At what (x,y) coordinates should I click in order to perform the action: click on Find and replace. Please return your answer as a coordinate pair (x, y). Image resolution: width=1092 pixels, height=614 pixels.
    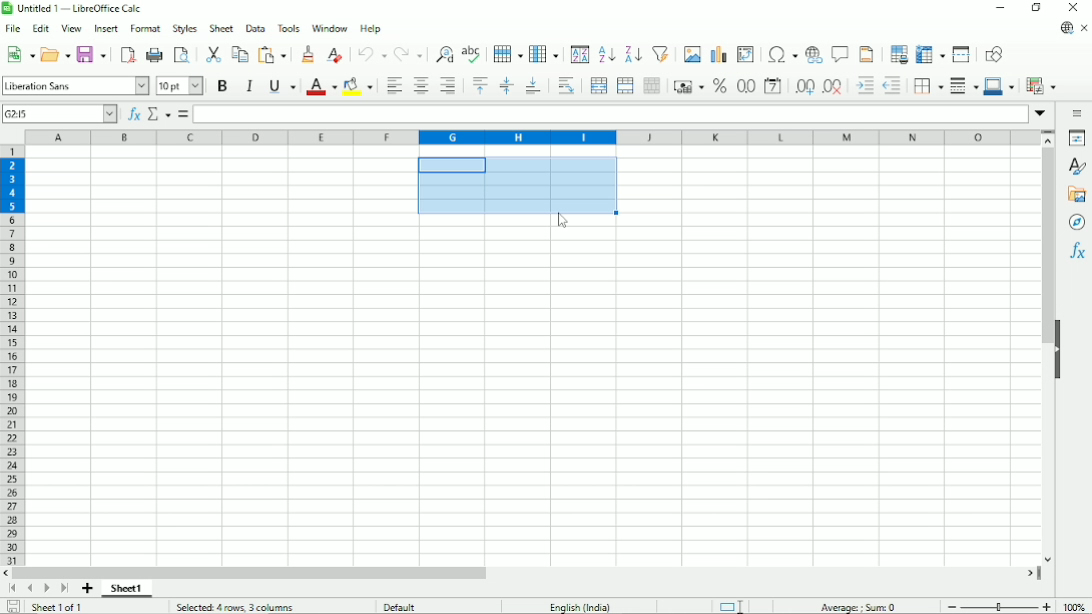
    Looking at the image, I should click on (442, 53).